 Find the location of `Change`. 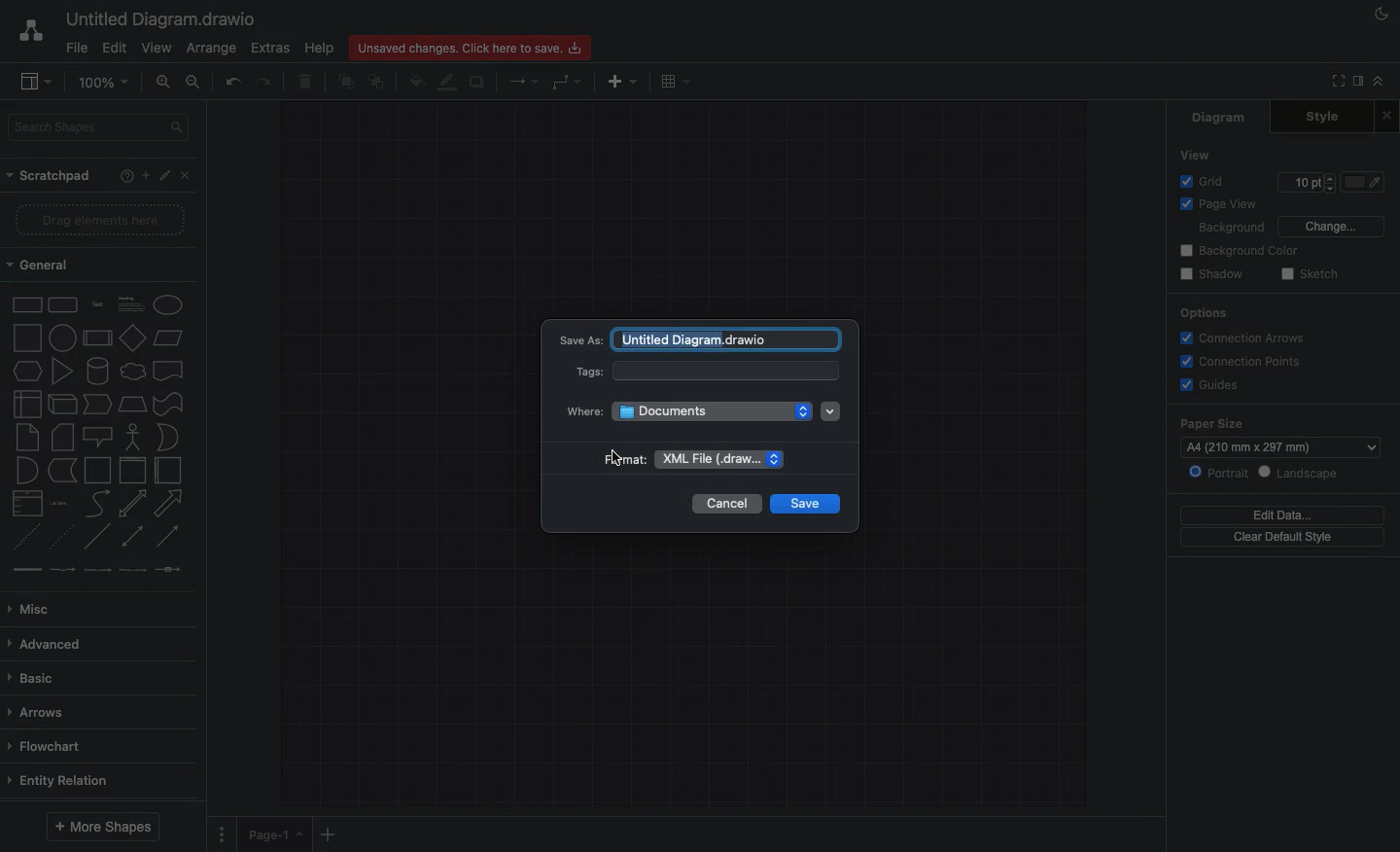

Change is located at coordinates (1331, 225).